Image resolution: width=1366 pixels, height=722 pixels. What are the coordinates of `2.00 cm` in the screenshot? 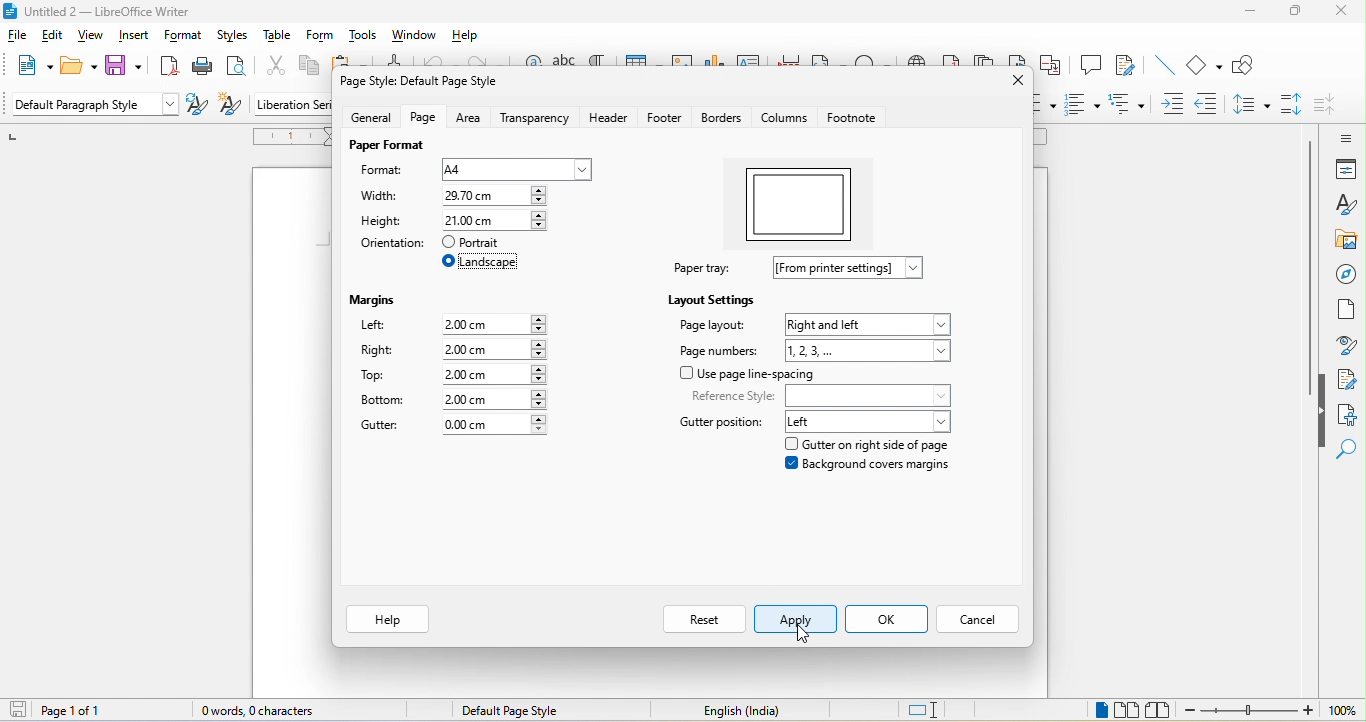 It's located at (496, 401).